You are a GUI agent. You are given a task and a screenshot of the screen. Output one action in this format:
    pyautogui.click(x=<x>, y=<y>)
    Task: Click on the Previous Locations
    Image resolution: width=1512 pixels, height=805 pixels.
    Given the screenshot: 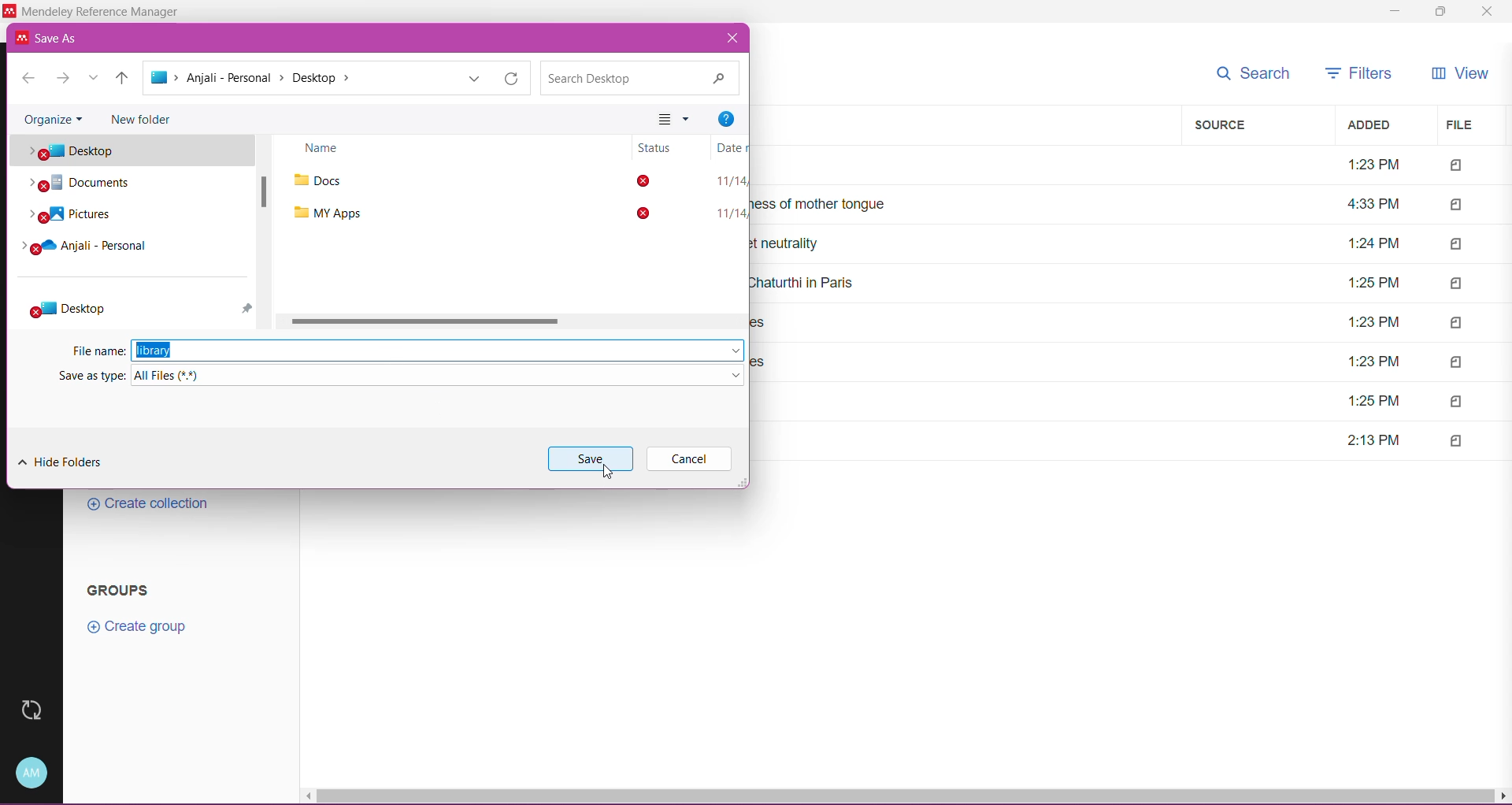 What is the action you would take?
    pyautogui.click(x=472, y=78)
    